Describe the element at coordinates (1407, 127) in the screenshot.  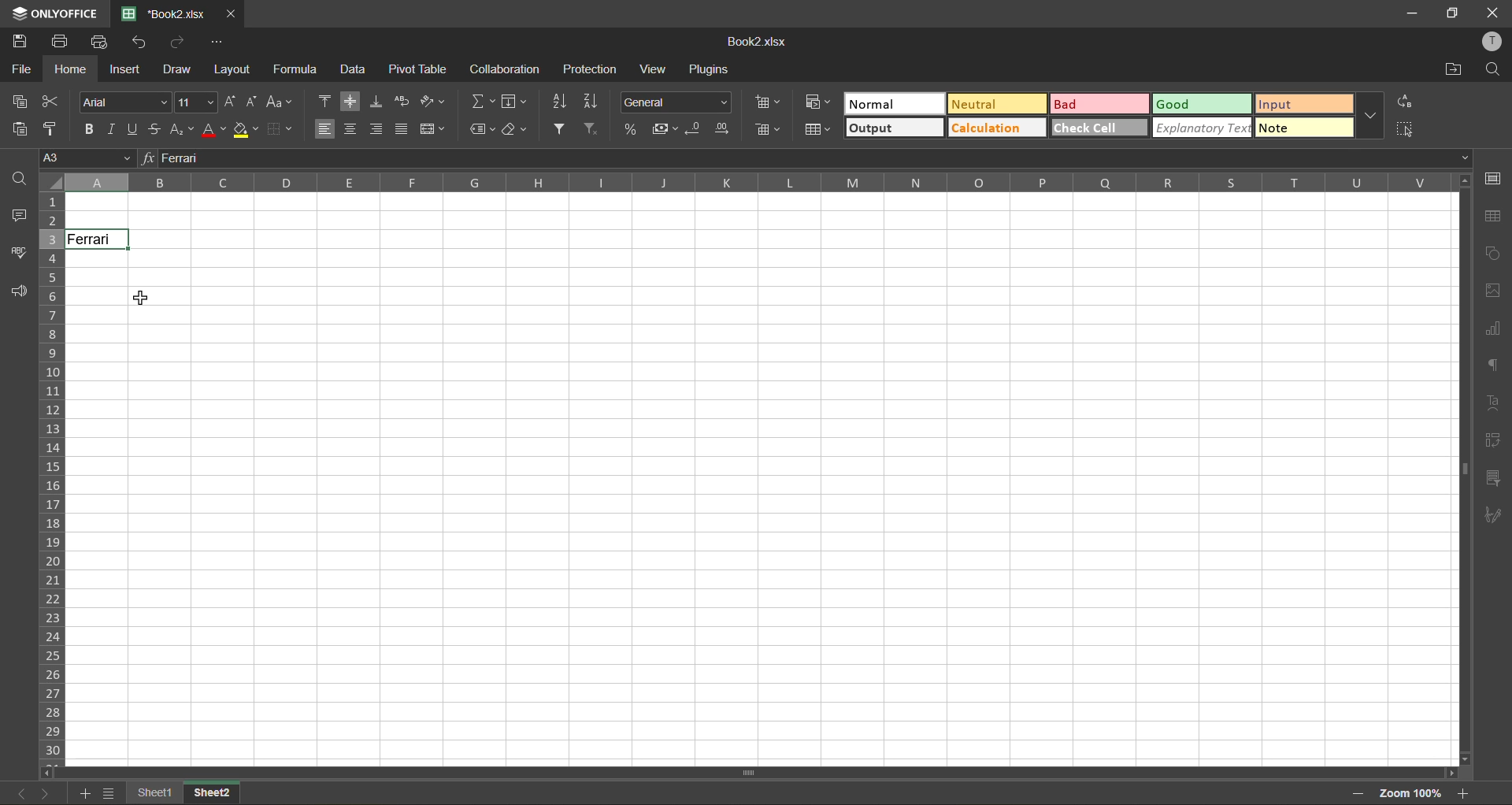
I see `select cell` at that location.